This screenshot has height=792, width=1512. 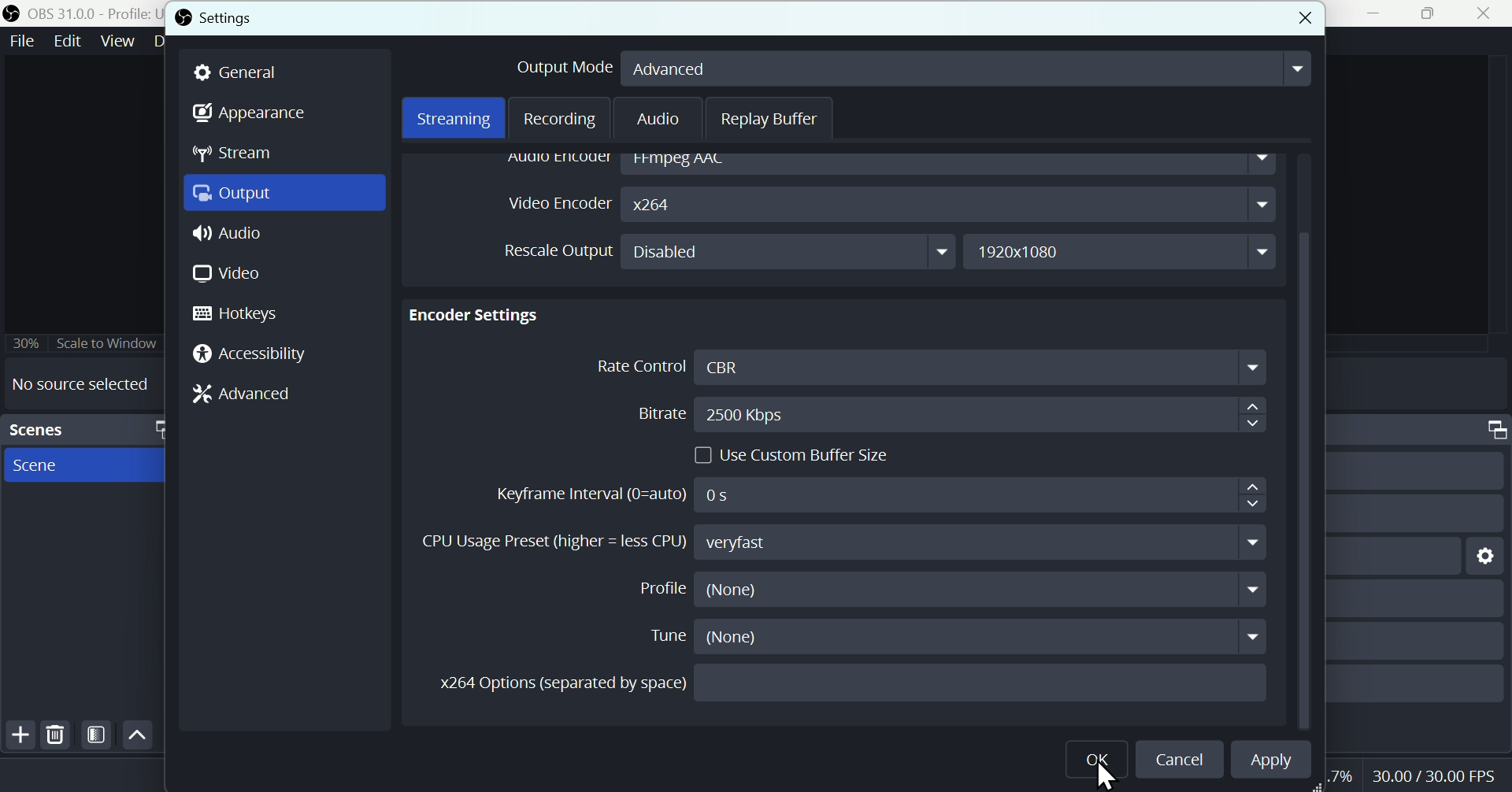 What do you see at coordinates (1304, 18) in the screenshot?
I see `cancel` at bounding box center [1304, 18].